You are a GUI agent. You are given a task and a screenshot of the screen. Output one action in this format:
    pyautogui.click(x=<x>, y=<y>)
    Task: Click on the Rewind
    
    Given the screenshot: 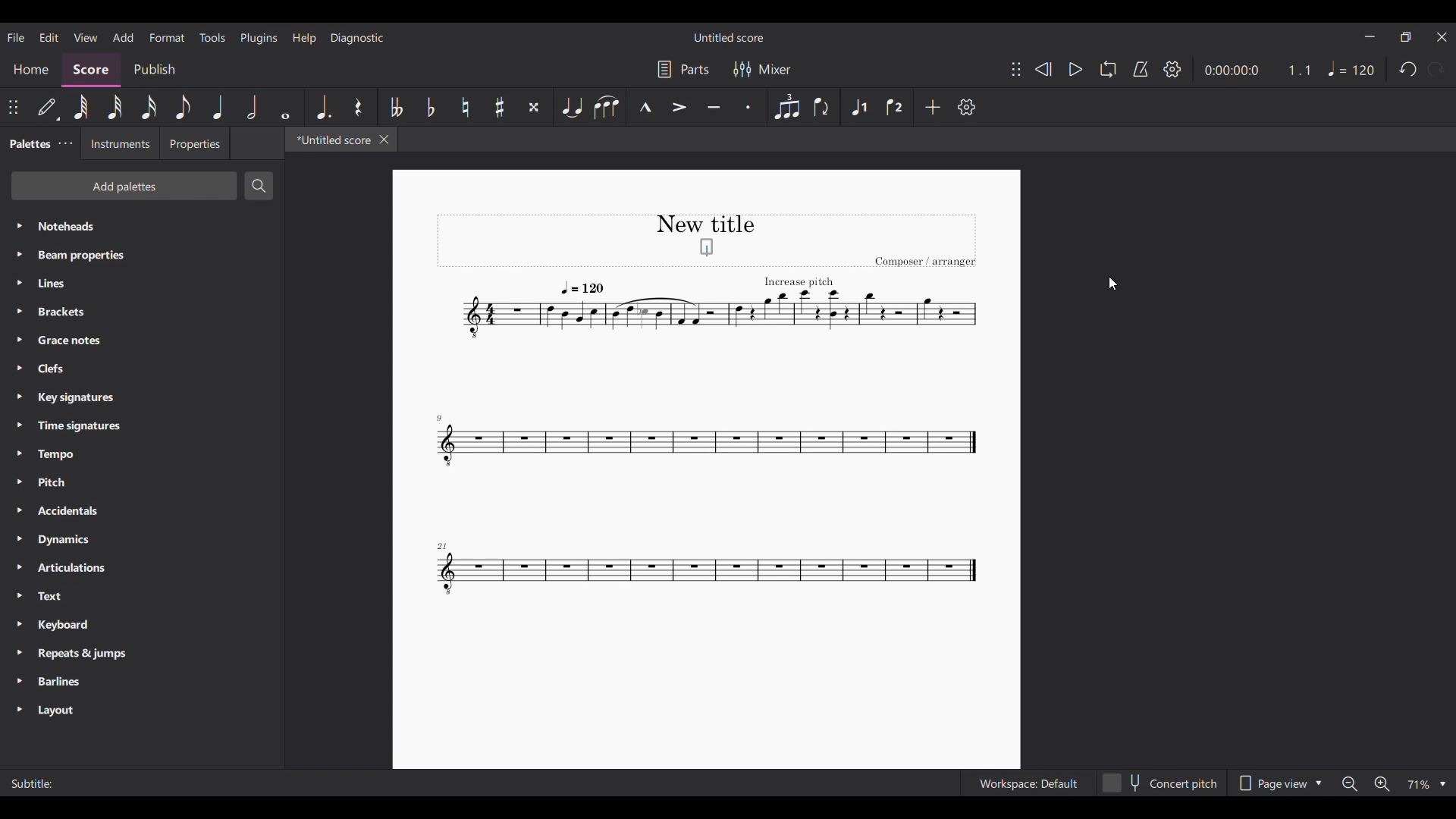 What is the action you would take?
    pyautogui.click(x=1043, y=69)
    